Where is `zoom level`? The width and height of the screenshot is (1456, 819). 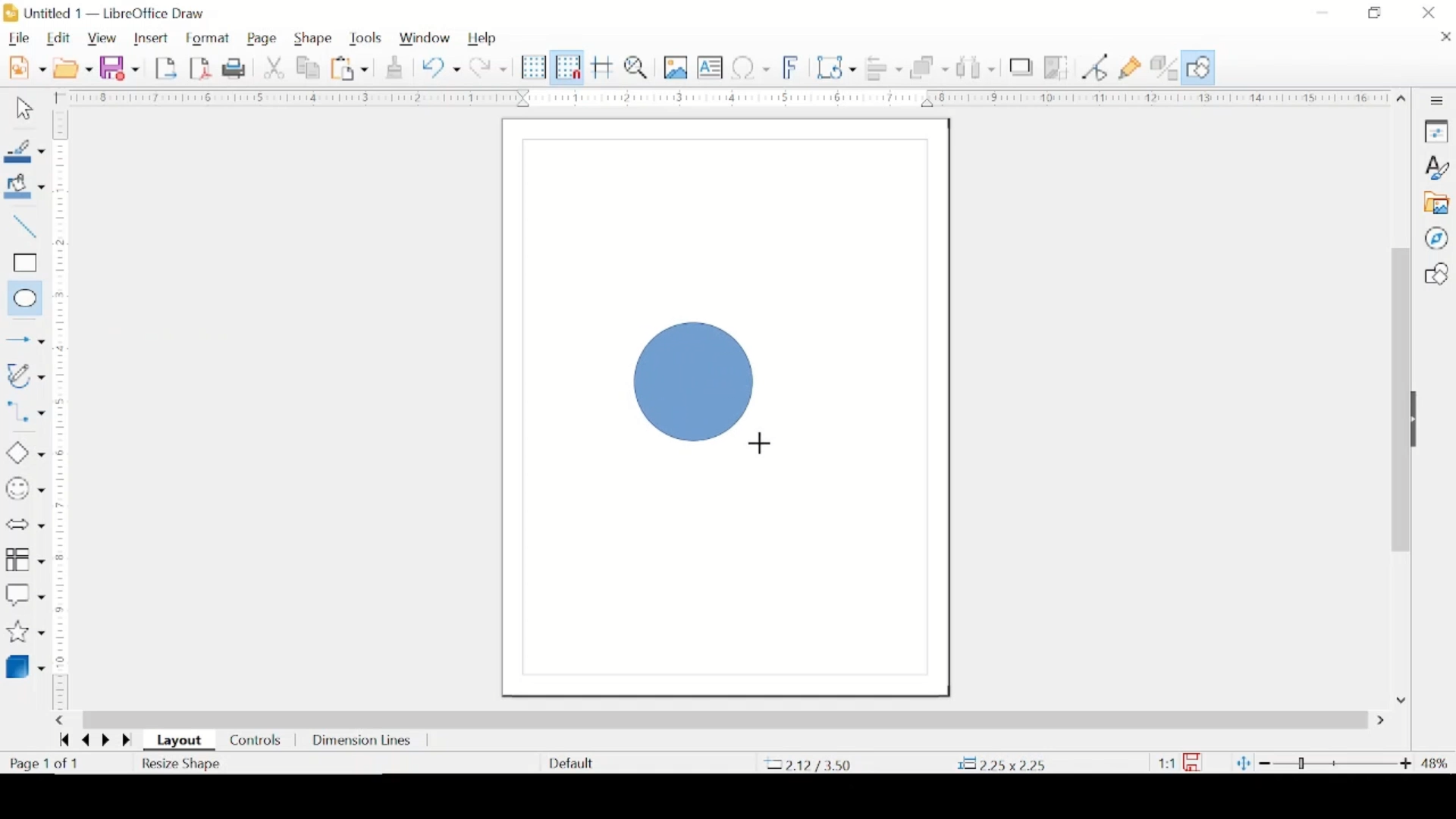
zoom level is located at coordinates (1434, 763).